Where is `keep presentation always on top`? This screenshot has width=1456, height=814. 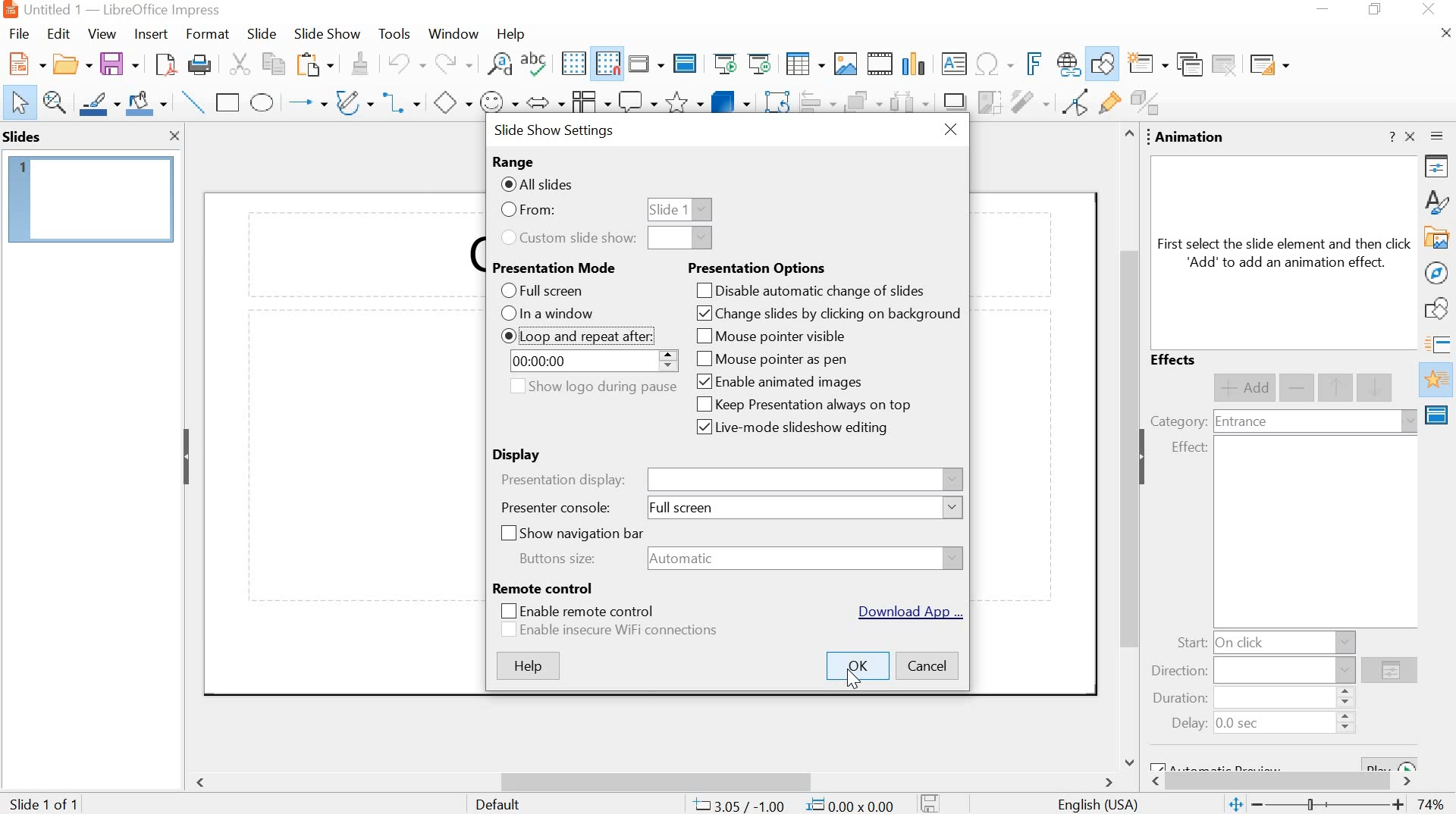
keep presentation always on top is located at coordinates (802, 404).